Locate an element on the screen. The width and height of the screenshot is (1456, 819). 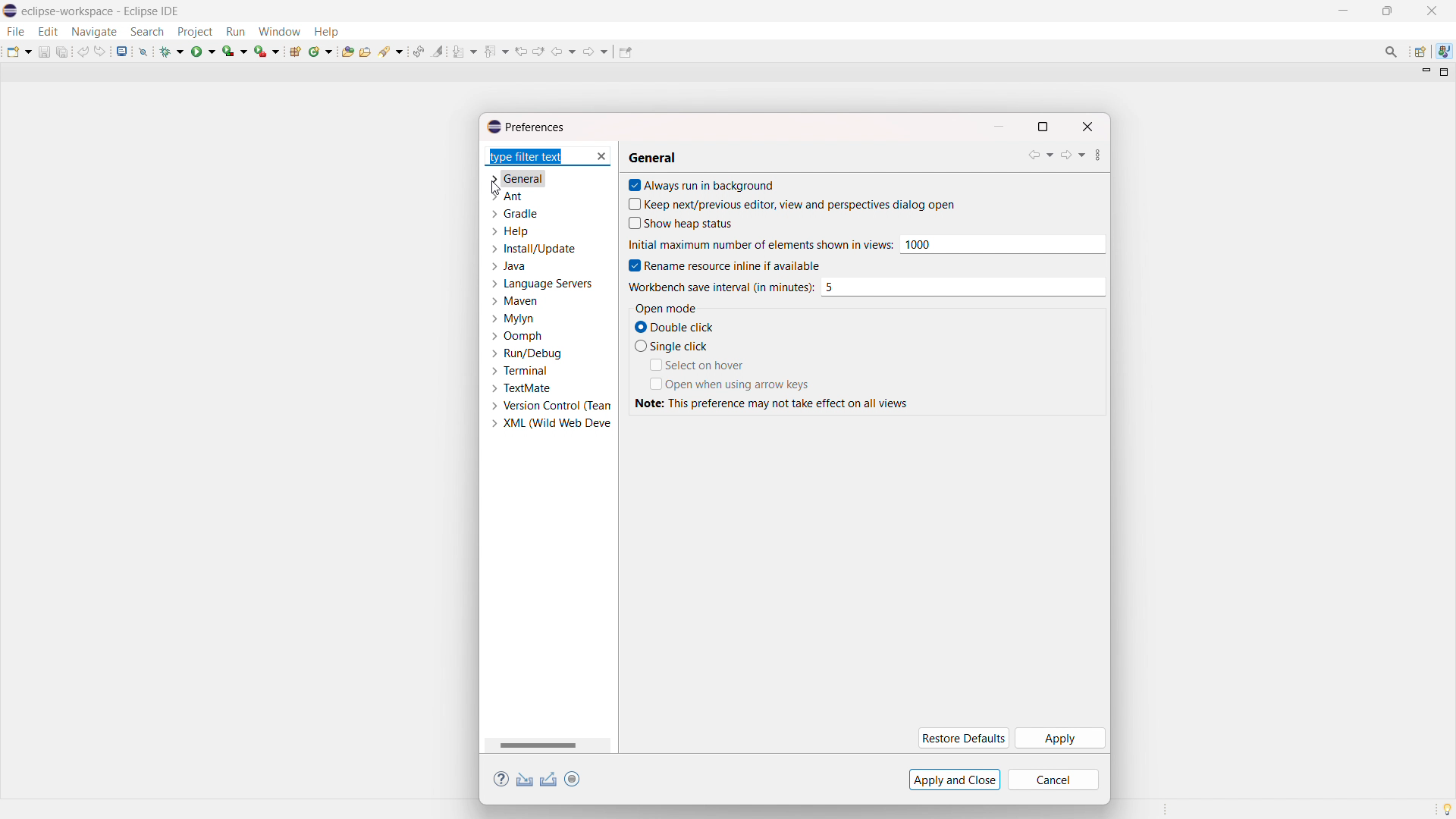
initial maximum number of elements shown in views is located at coordinates (1001, 244).